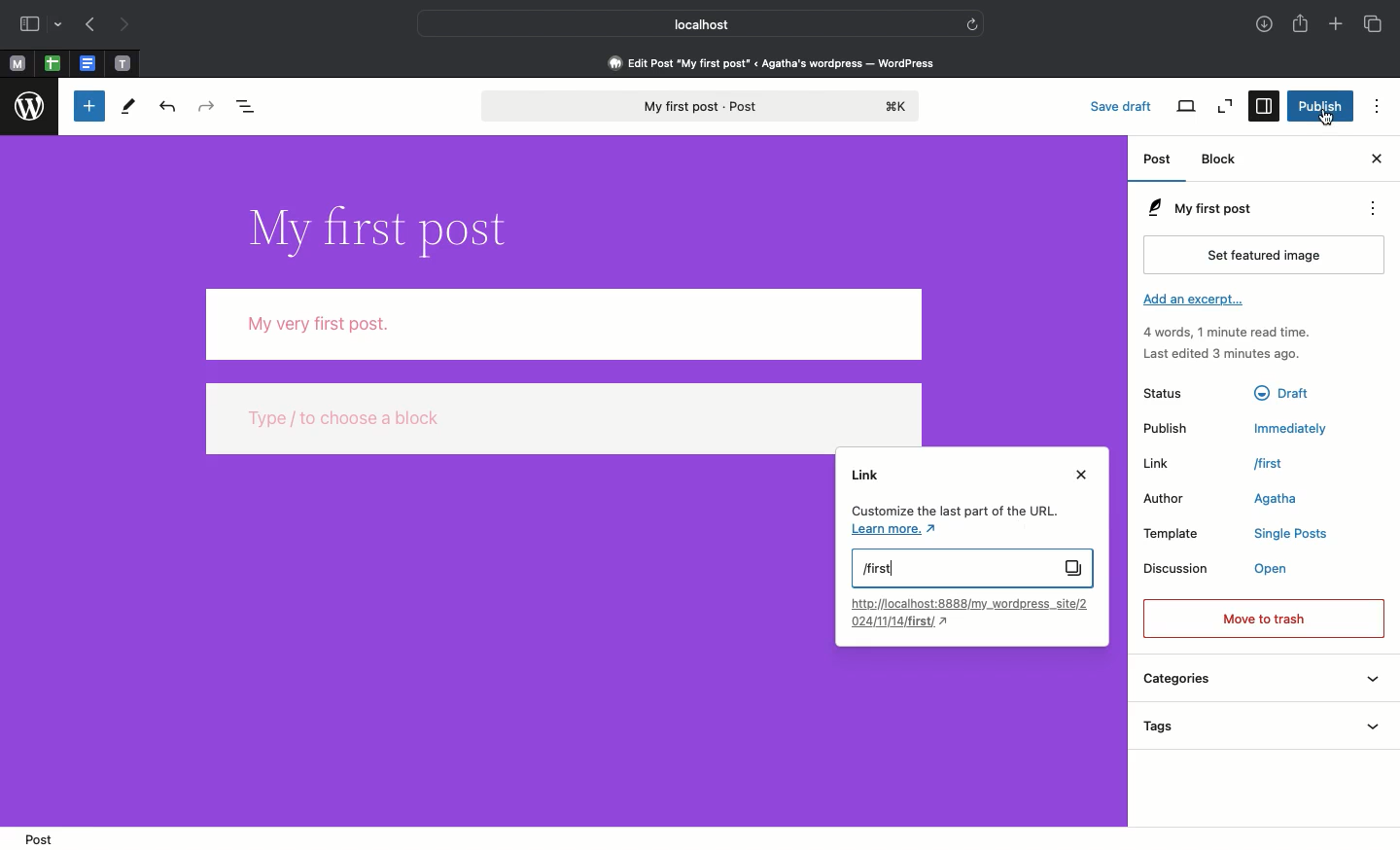 This screenshot has width=1400, height=850. What do you see at coordinates (974, 23) in the screenshot?
I see `refresh` at bounding box center [974, 23].